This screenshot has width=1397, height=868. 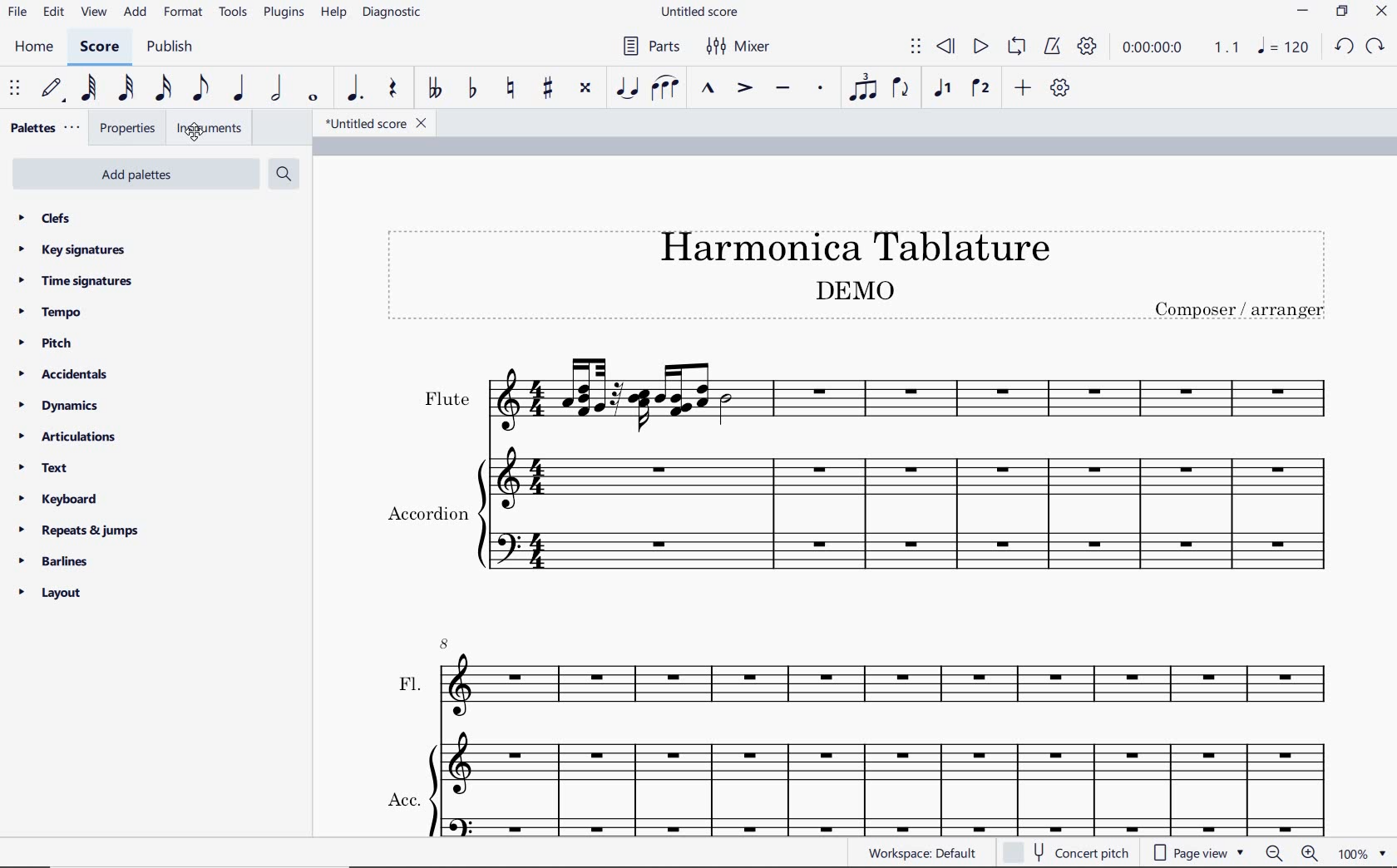 What do you see at coordinates (585, 91) in the screenshot?
I see `toggle double-sharp` at bounding box center [585, 91].